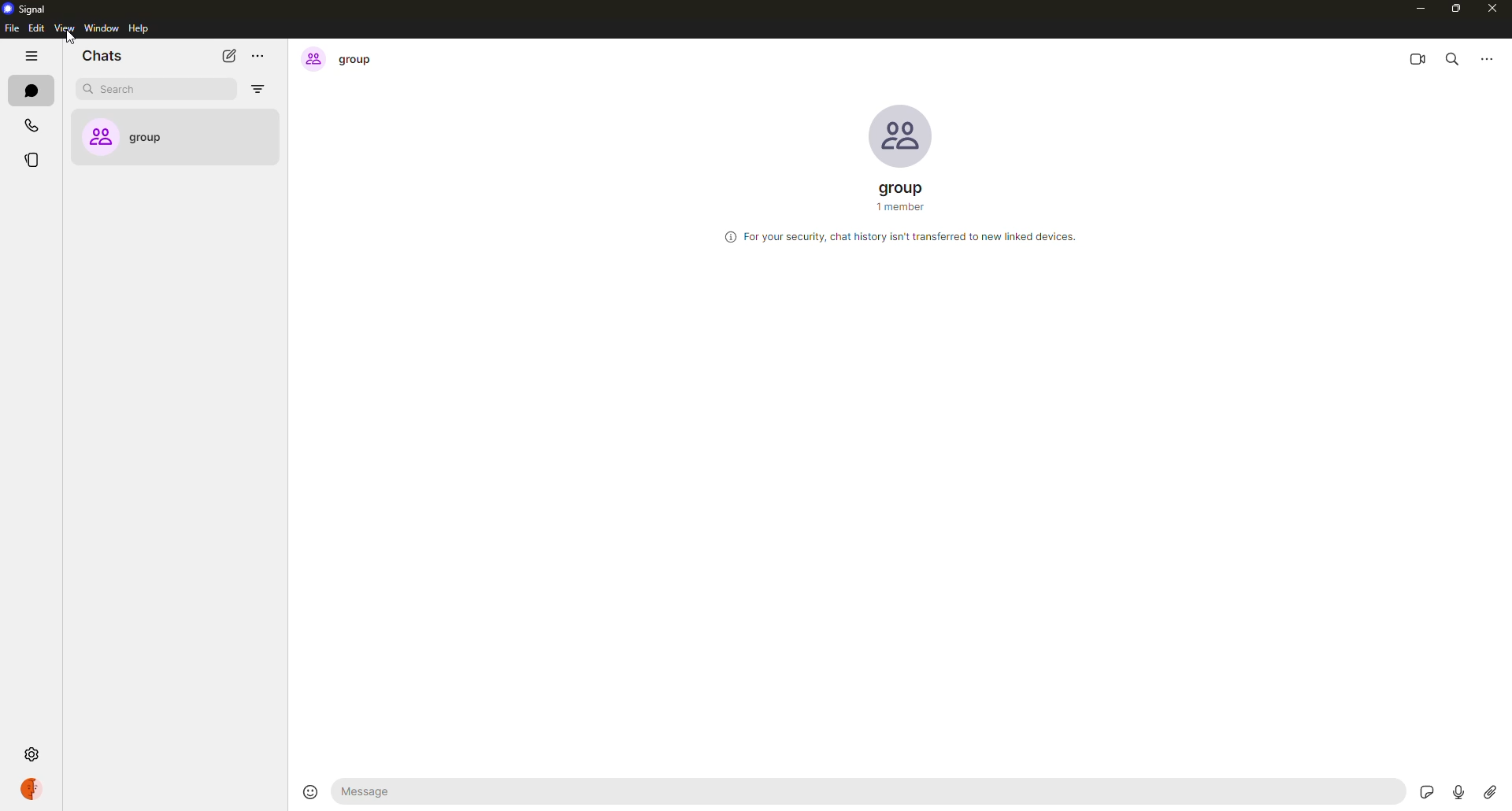  Describe the element at coordinates (29, 90) in the screenshot. I see `chats` at that location.